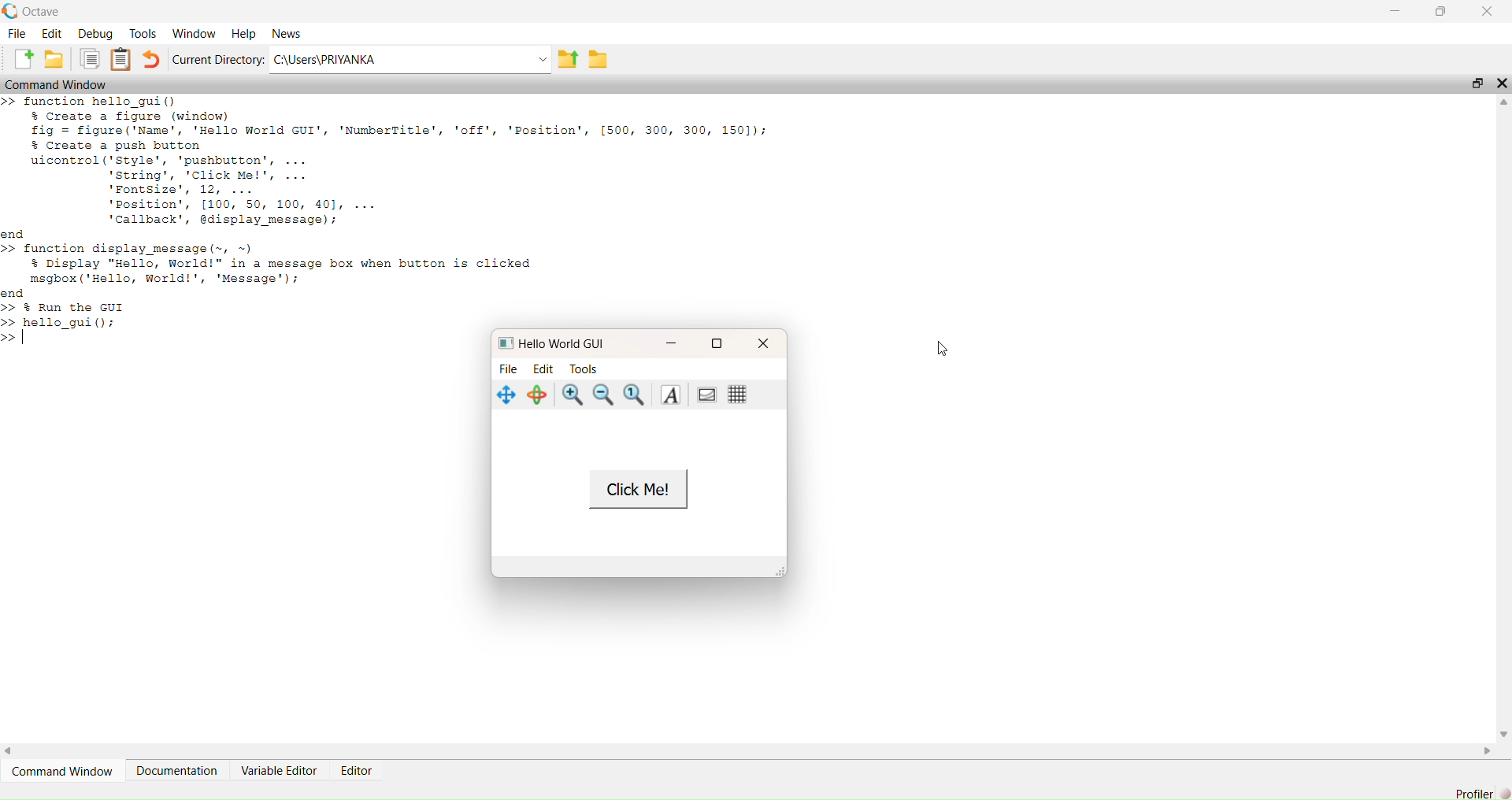 The width and height of the screenshot is (1512, 800). I want to click on minimise, so click(1392, 9).